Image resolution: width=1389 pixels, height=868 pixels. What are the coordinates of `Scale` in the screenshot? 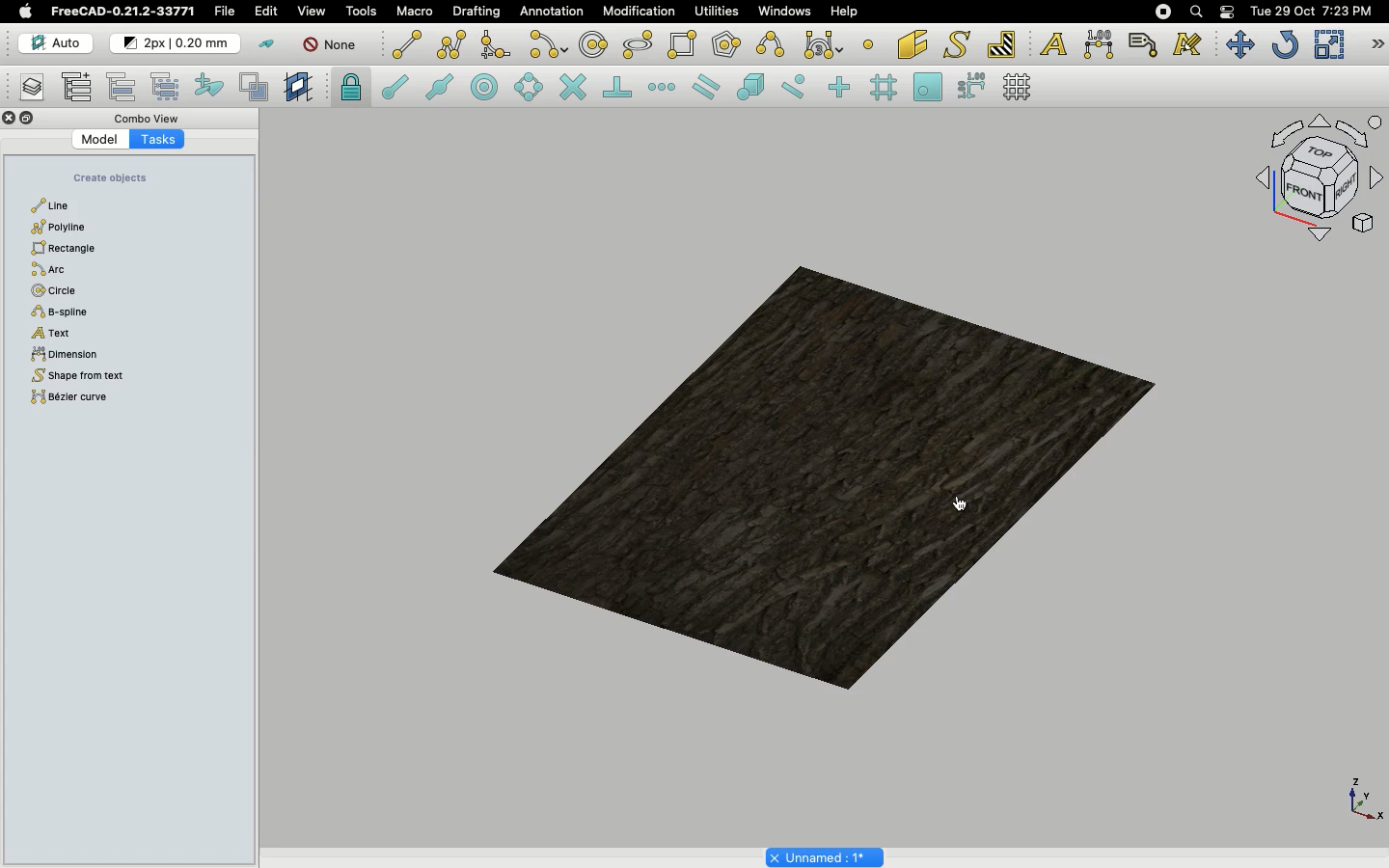 It's located at (1327, 43).